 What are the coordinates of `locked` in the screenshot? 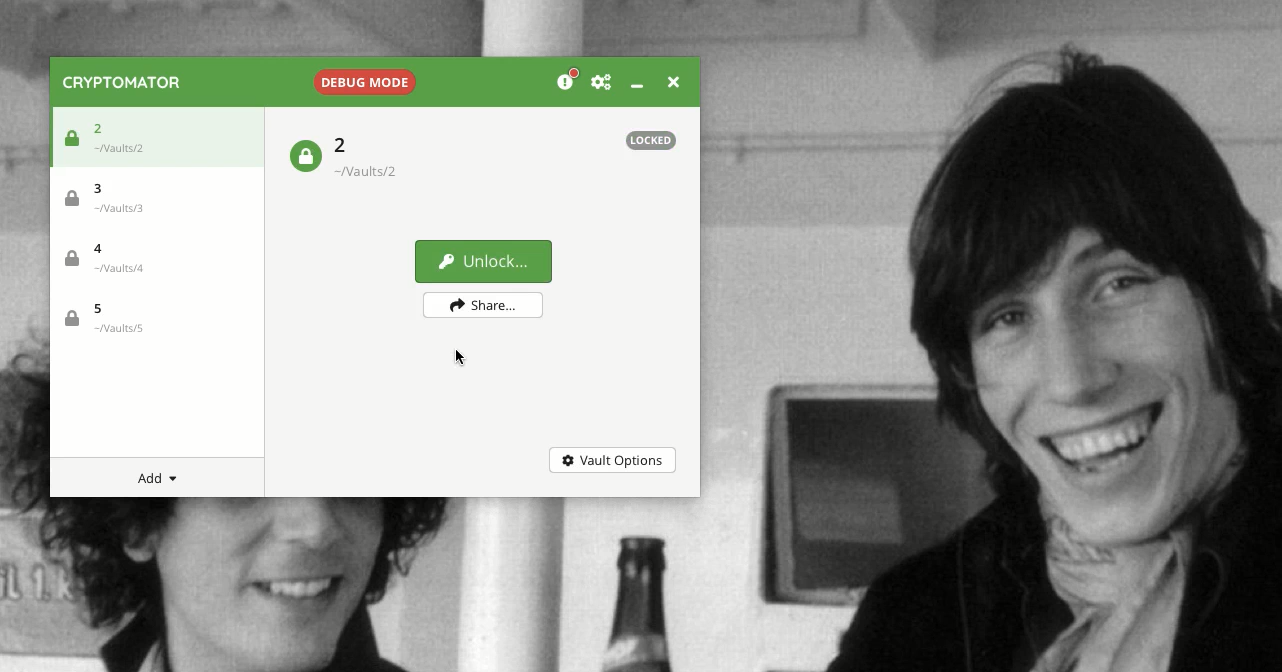 It's located at (647, 141).